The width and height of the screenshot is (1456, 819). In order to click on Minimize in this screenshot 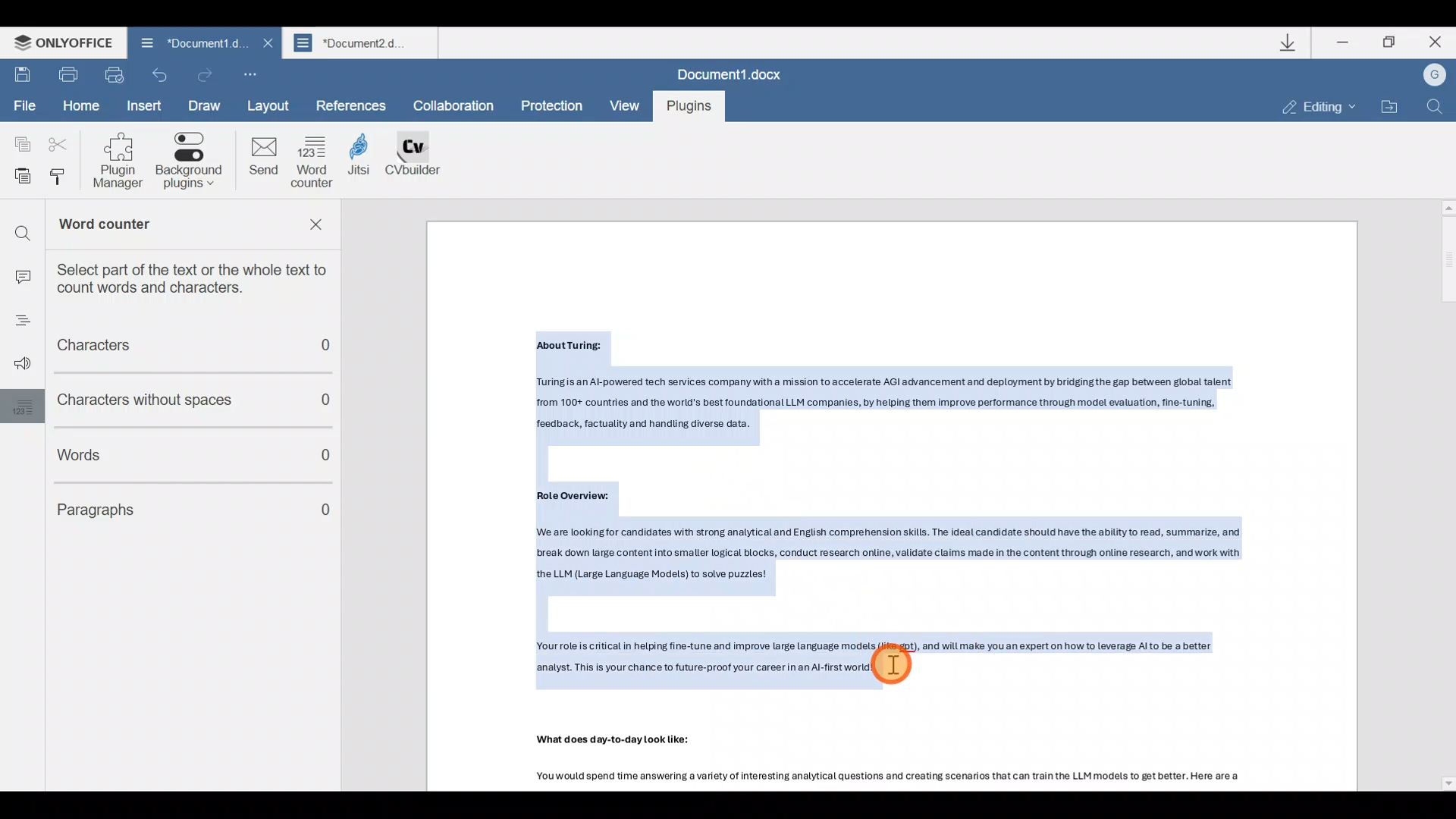, I will do `click(1341, 45)`.